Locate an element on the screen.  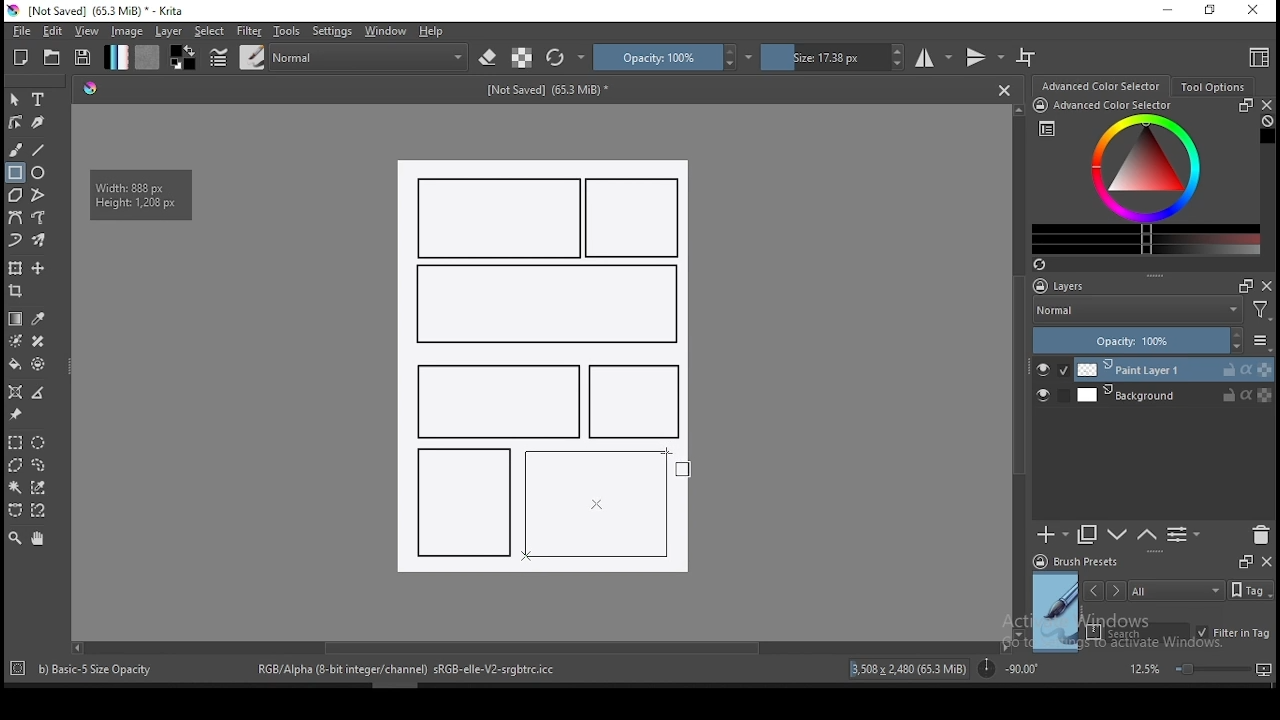
tools is located at coordinates (287, 31).